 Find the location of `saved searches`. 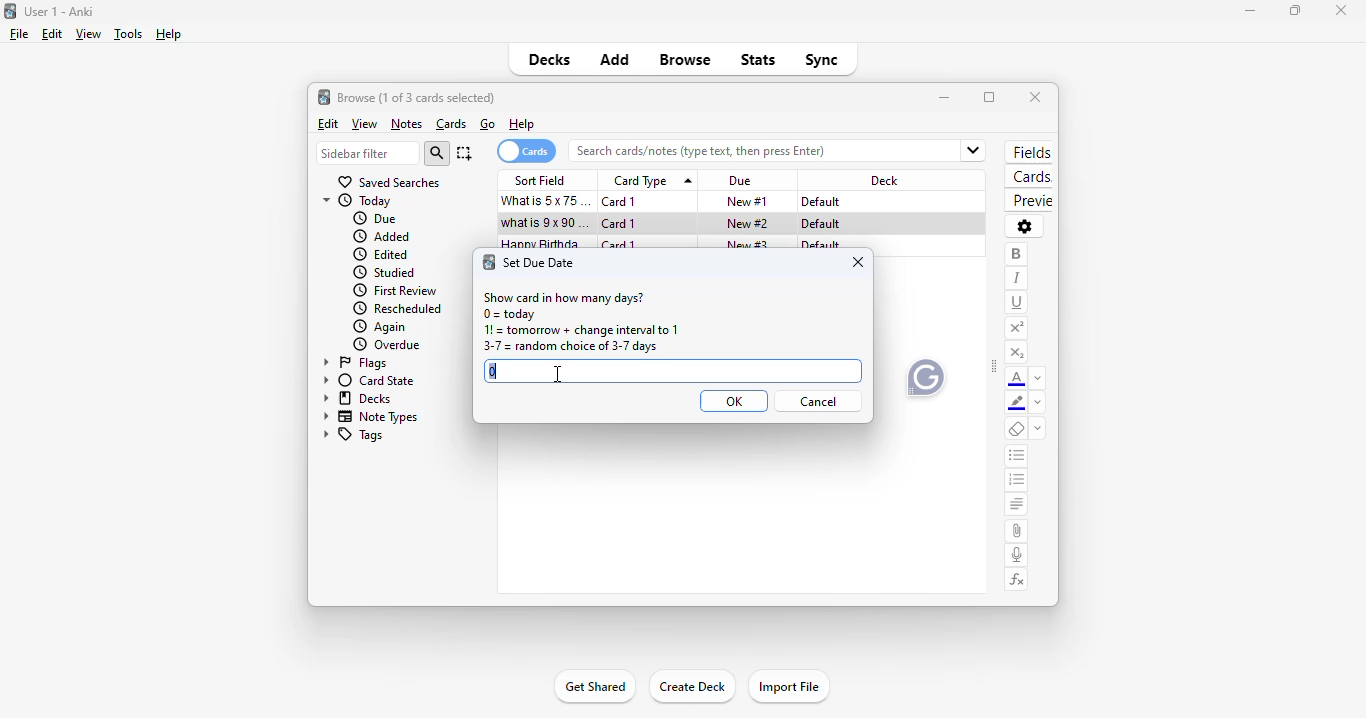

saved searches is located at coordinates (390, 183).